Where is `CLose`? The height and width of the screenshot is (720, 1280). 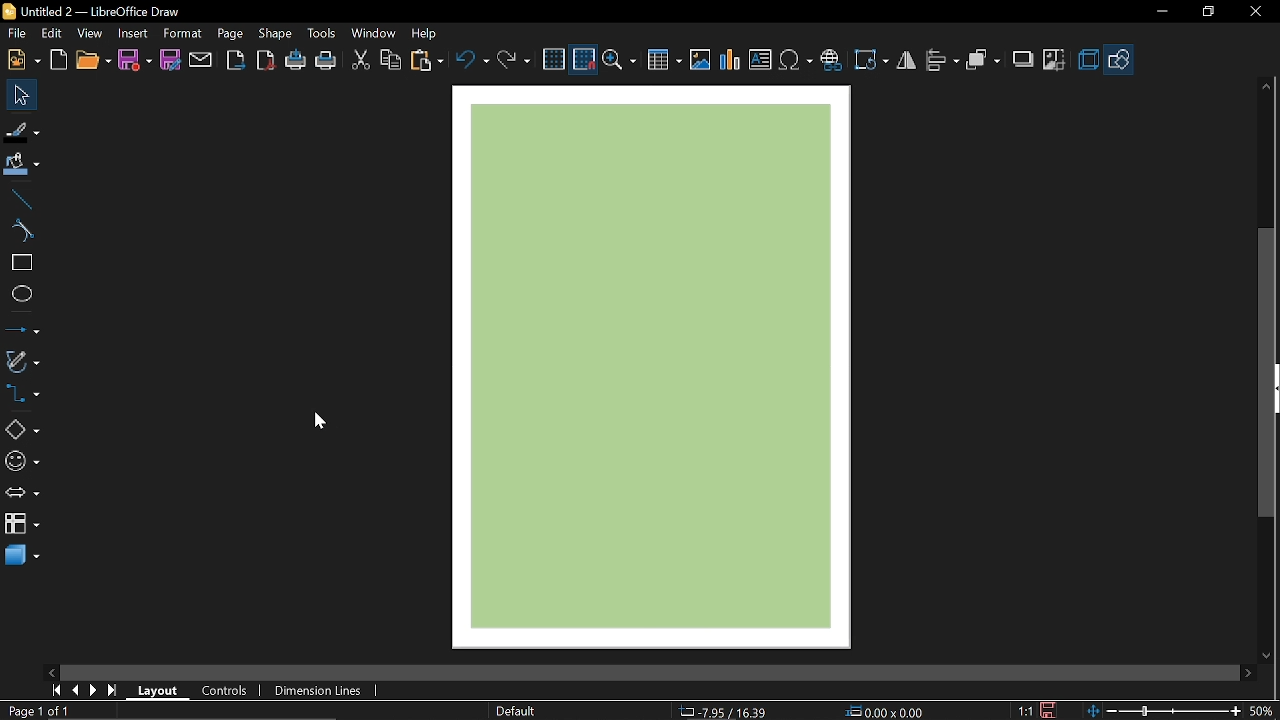 CLose is located at coordinates (1258, 14).